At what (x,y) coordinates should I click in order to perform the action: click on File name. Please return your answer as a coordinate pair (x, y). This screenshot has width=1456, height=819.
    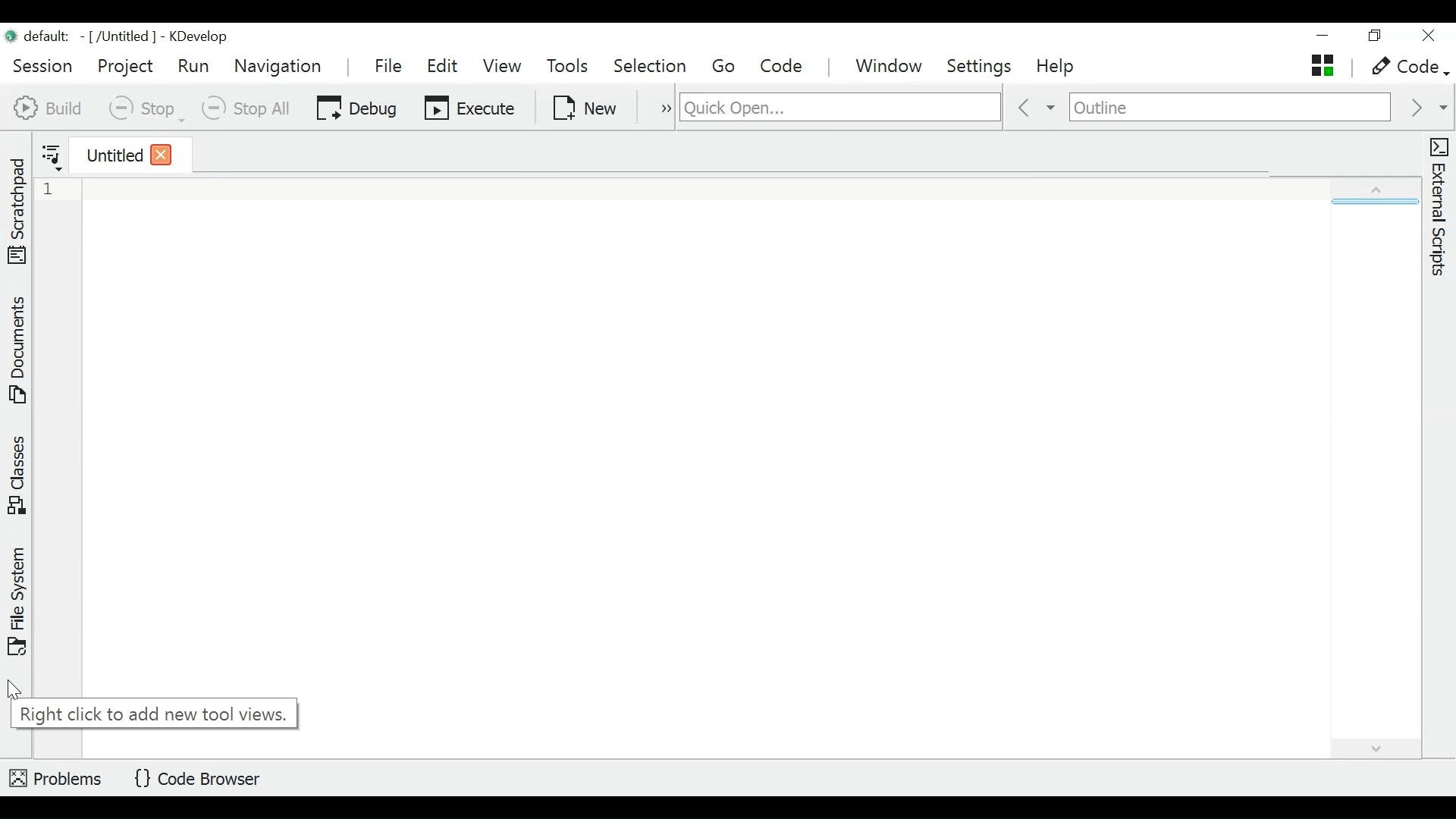
    Looking at the image, I should click on (80, 36).